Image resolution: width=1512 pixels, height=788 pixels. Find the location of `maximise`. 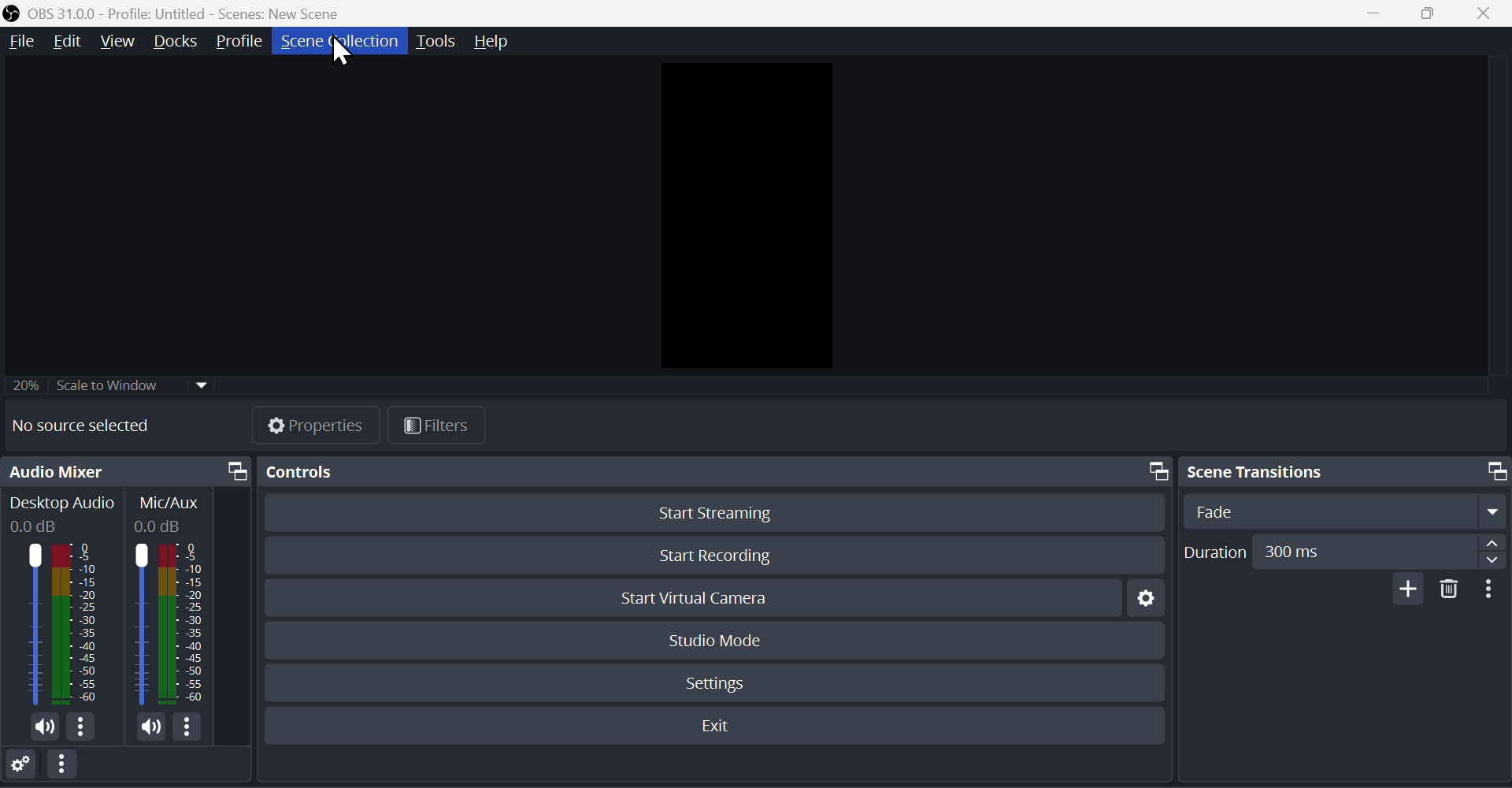

maximise is located at coordinates (1435, 14).